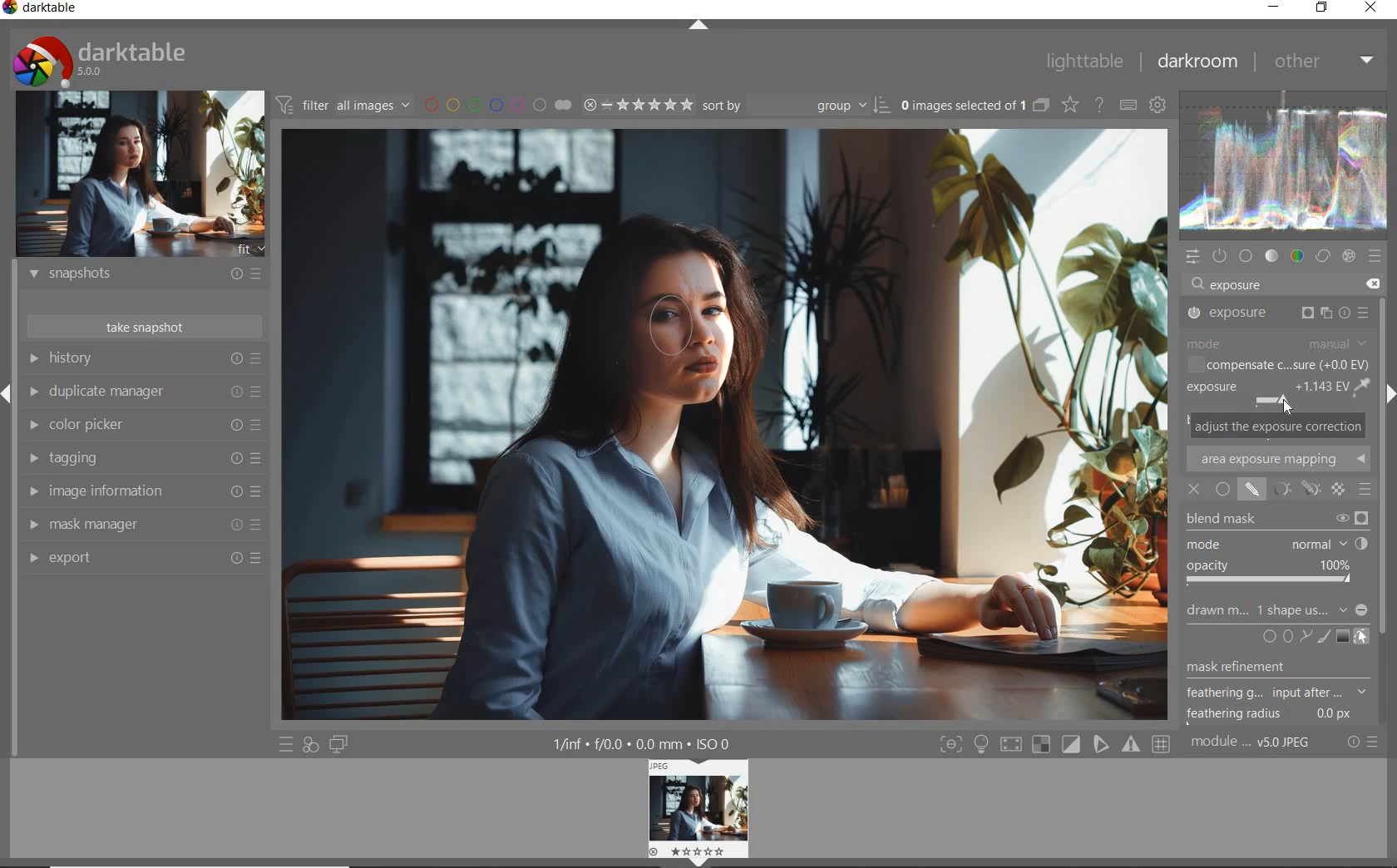 Image resolution: width=1397 pixels, height=868 pixels. Describe the element at coordinates (287, 743) in the screenshot. I see `quick access to presets` at that location.